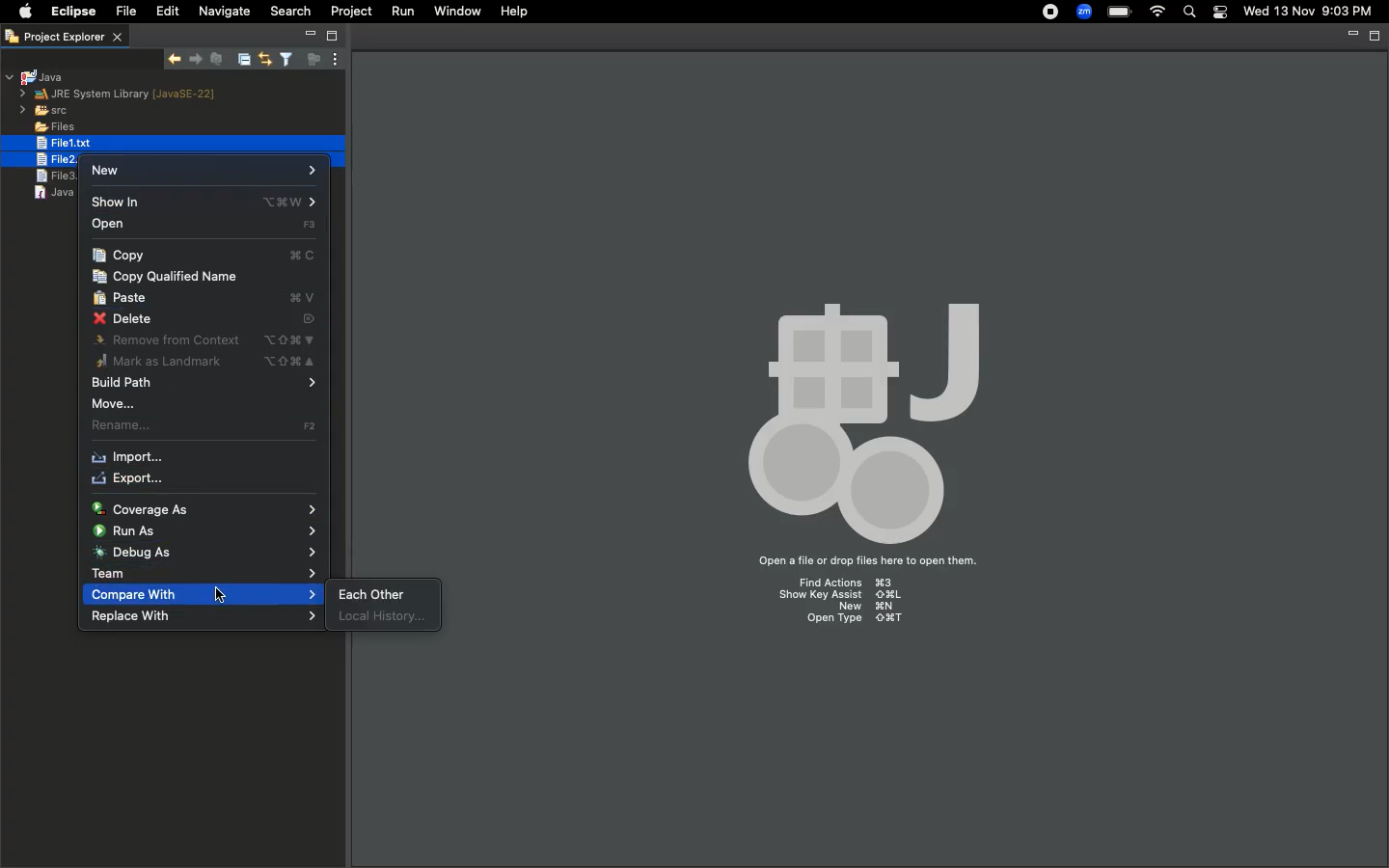 This screenshot has height=868, width=1389. What do you see at coordinates (70, 12) in the screenshot?
I see `Eclipse` at bounding box center [70, 12].